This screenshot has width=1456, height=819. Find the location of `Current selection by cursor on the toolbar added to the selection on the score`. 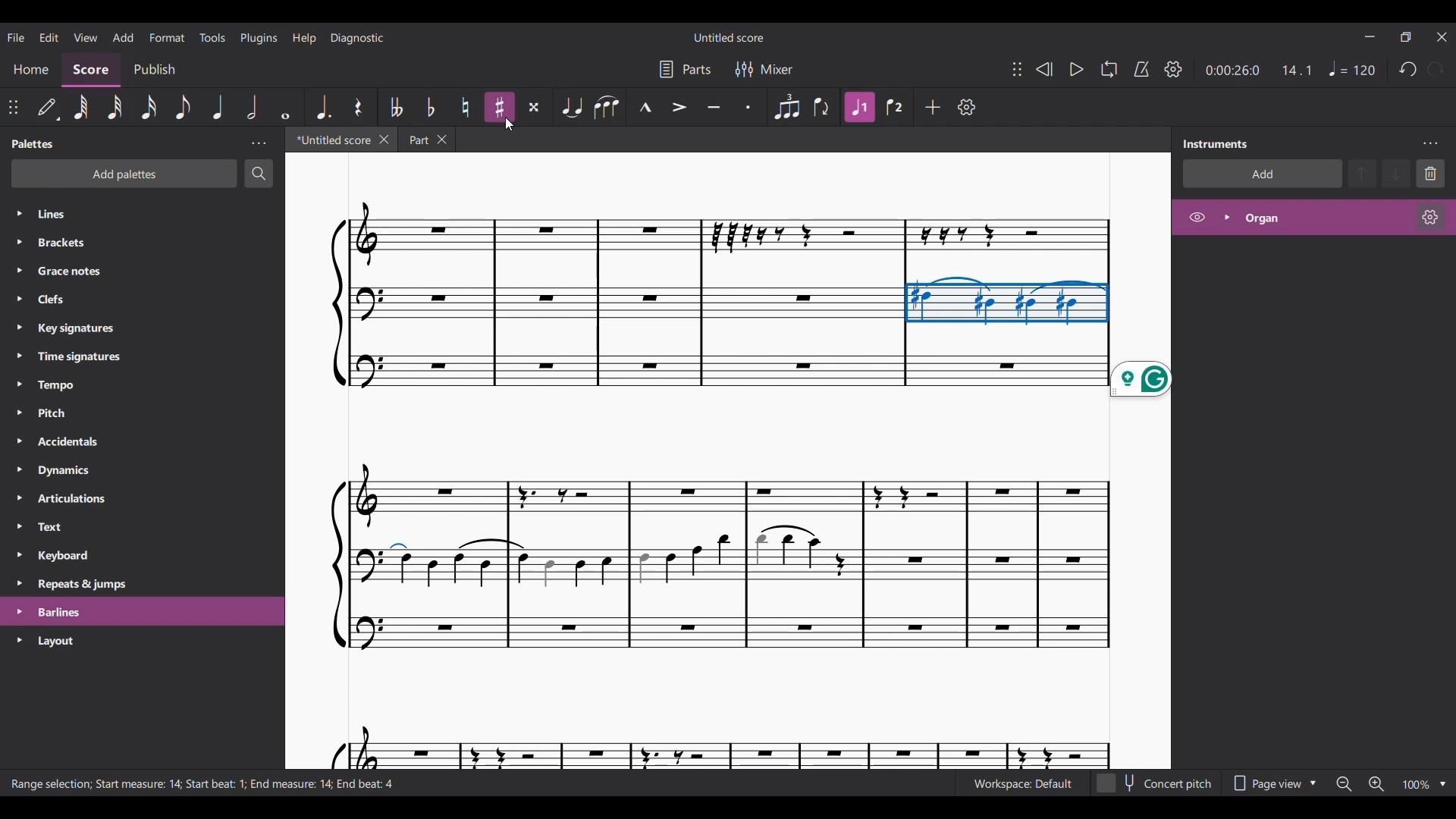

Current selection by cursor on the toolbar added to the selection on the score is located at coordinates (1006, 300).